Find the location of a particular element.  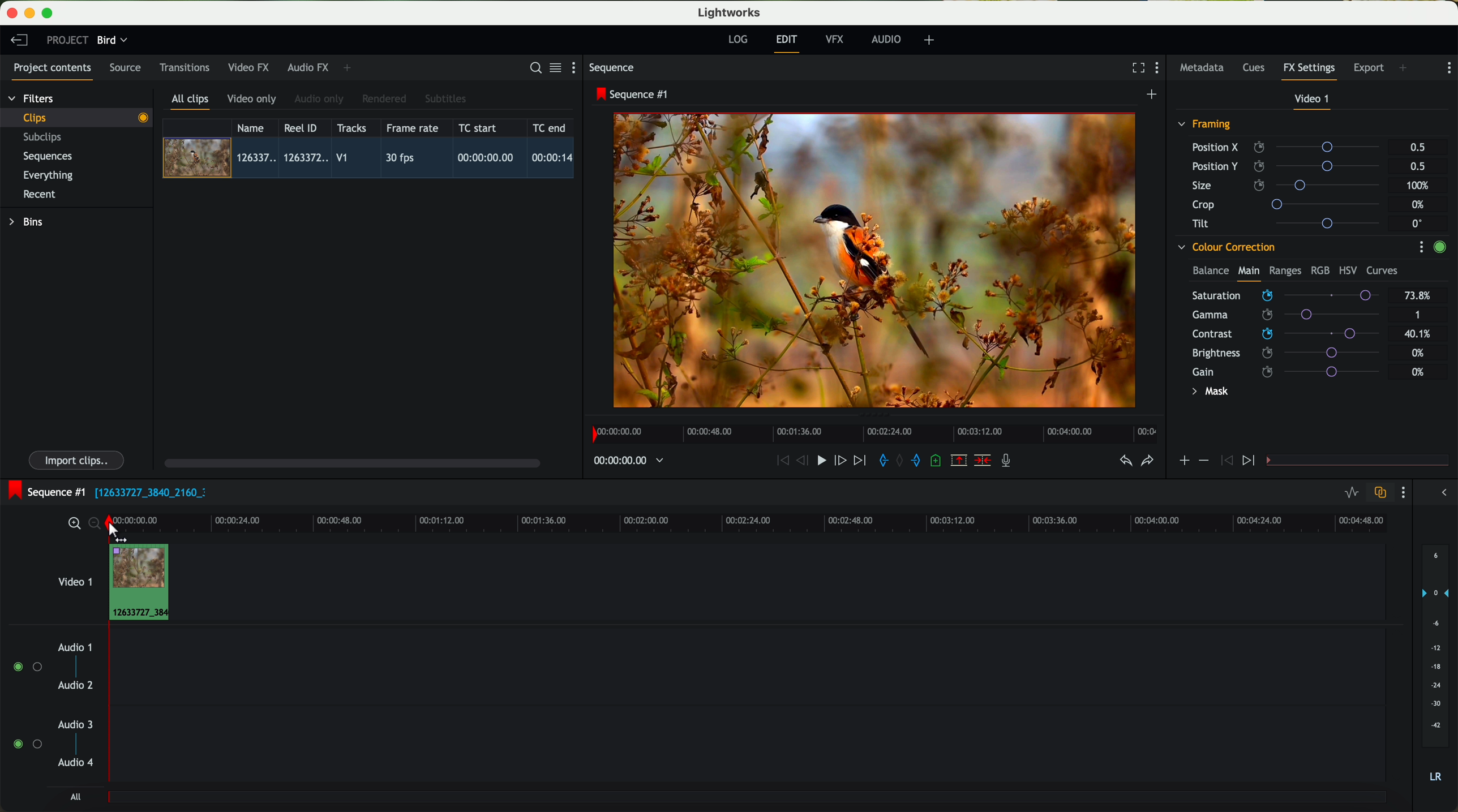

add, remove and create layouts is located at coordinates (931, 40).